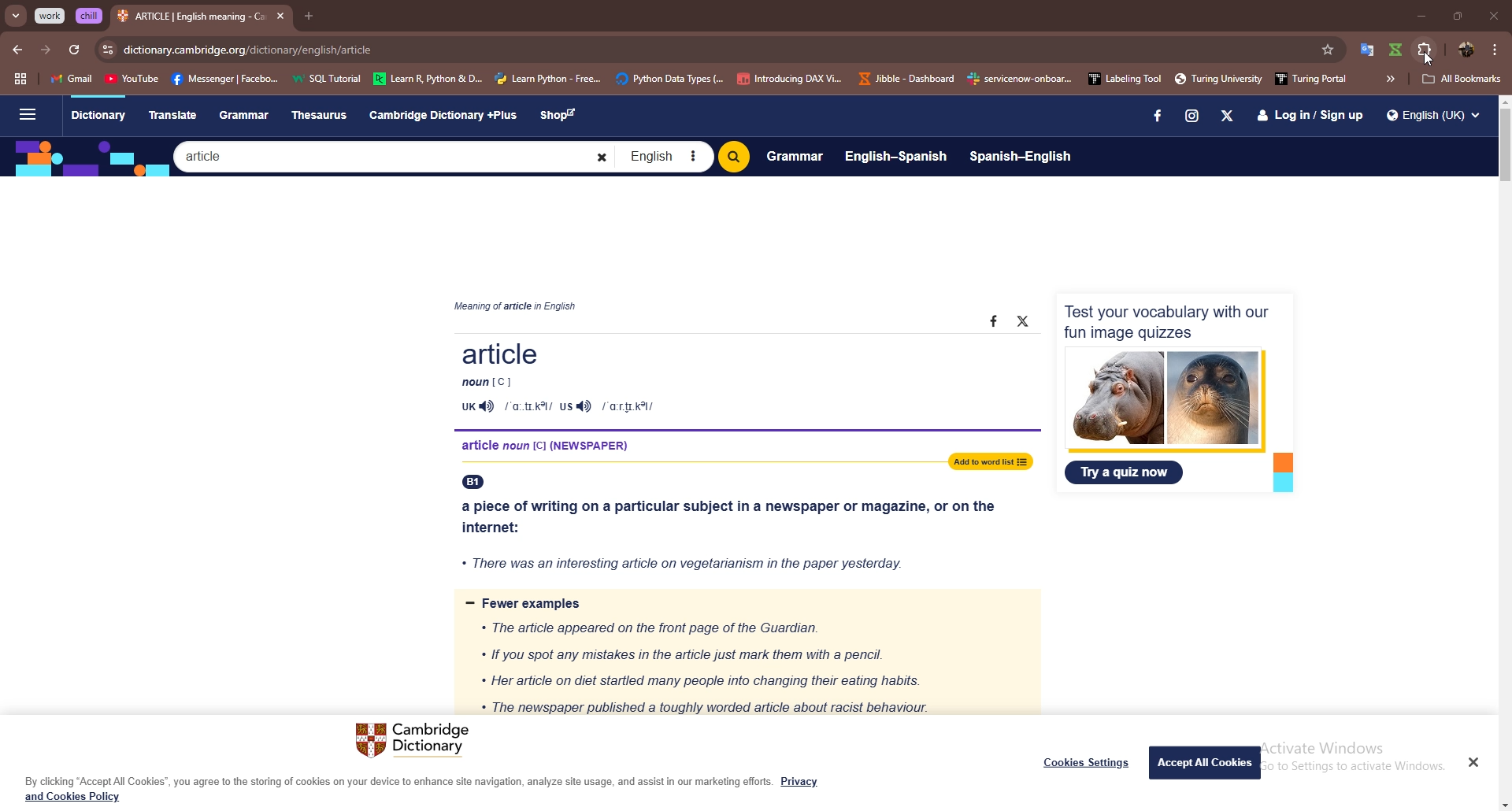  I want to click on close tab, so click(280, 16).